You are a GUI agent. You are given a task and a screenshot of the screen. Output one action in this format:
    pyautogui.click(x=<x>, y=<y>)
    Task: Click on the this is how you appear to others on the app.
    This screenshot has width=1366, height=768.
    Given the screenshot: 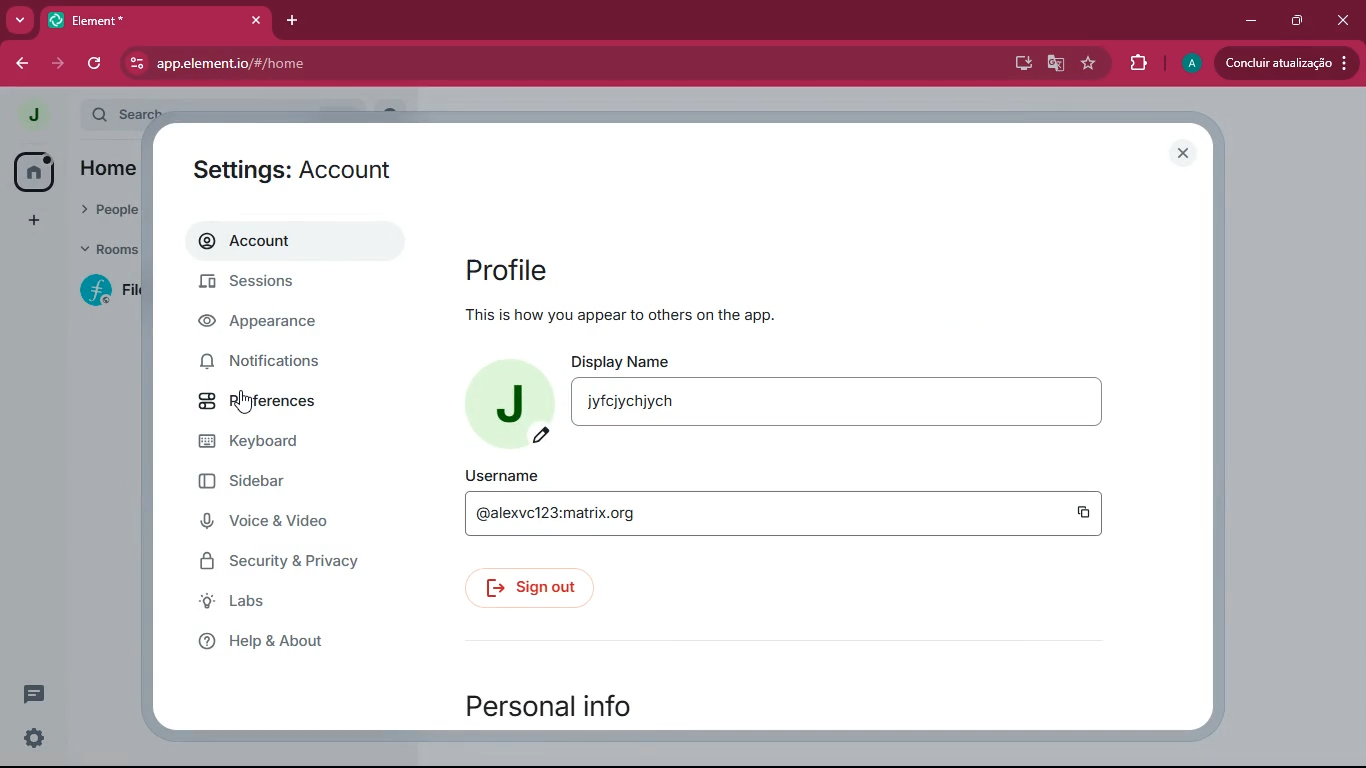 What is the action you would take?
    pyautogui.click(x=623, y=315)
    